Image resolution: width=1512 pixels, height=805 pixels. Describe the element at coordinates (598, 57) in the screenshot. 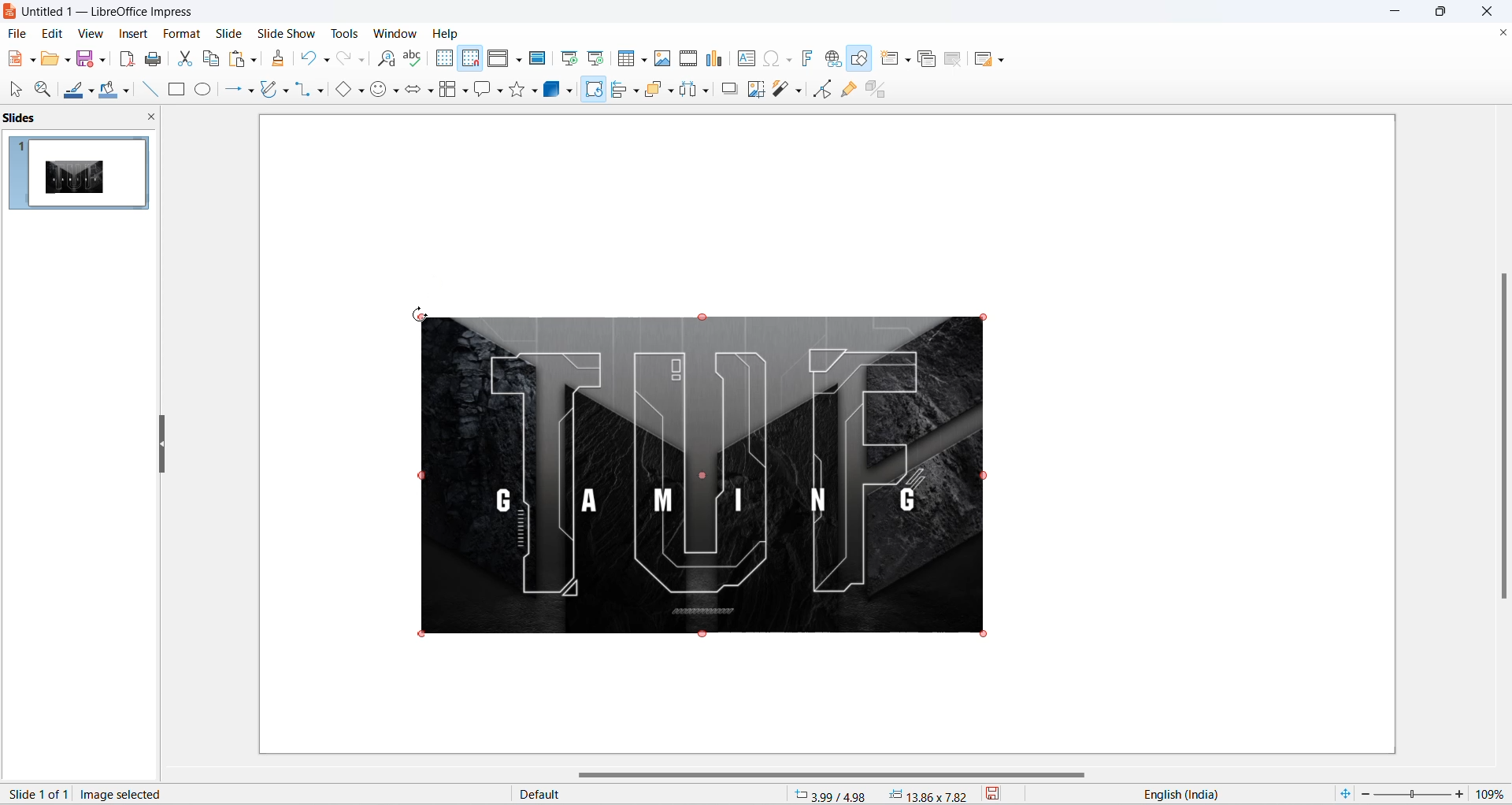

I see `start at current slide` at that location.